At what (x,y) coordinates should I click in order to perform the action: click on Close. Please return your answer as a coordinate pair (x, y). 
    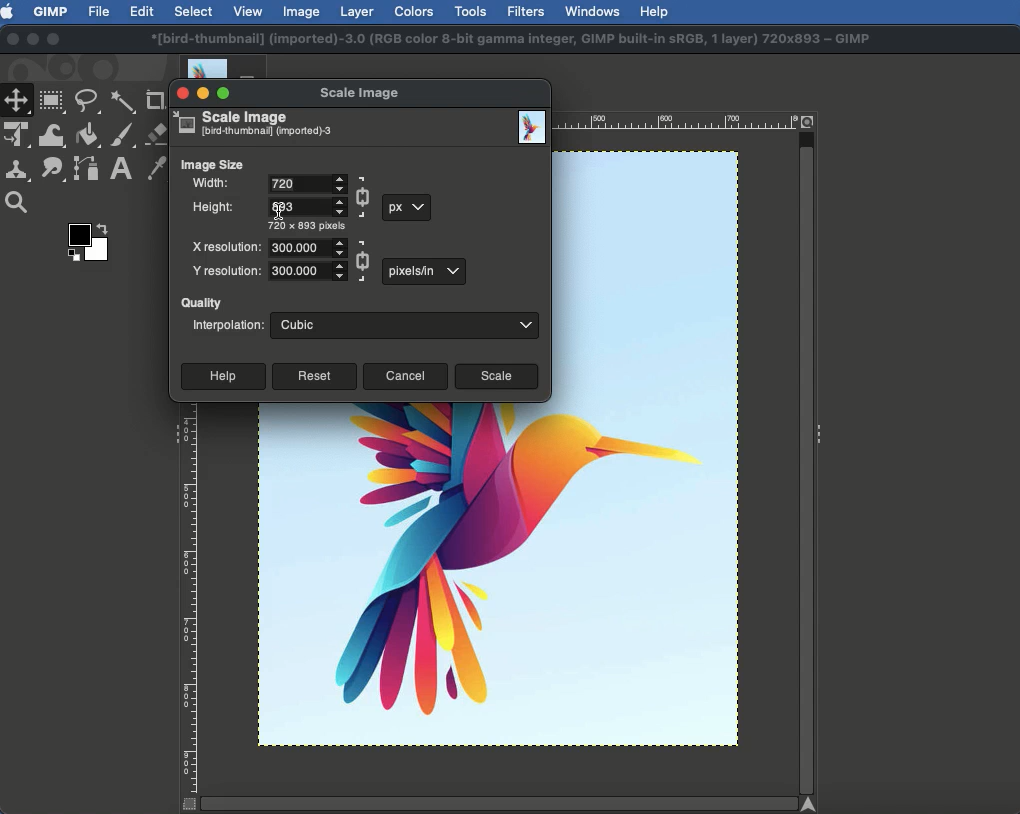
    Looking at the image, I should click on (11, 40).